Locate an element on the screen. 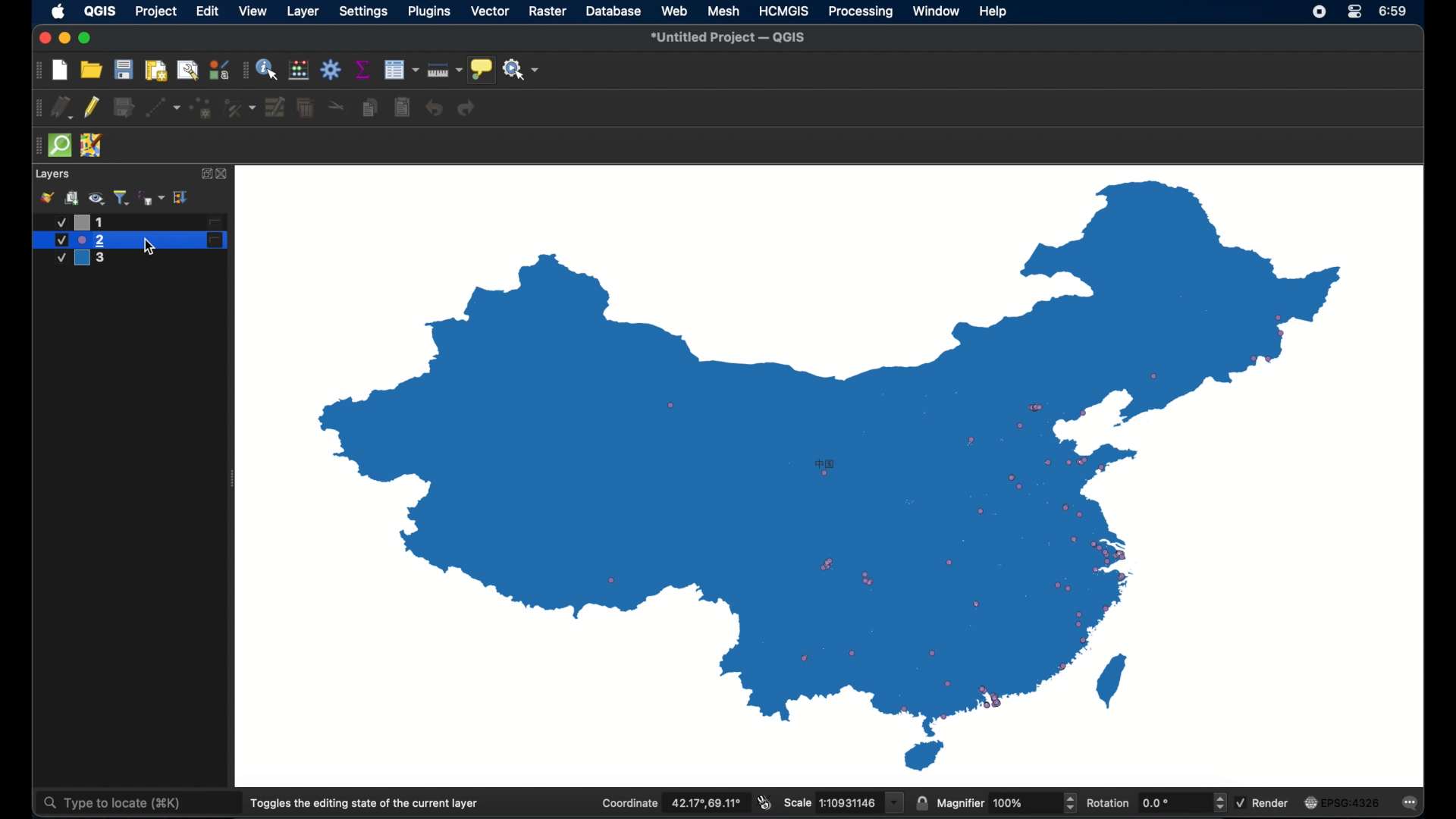 This screenshot has width=1456, height=819. add point feature is located at coordinates (202, 108).